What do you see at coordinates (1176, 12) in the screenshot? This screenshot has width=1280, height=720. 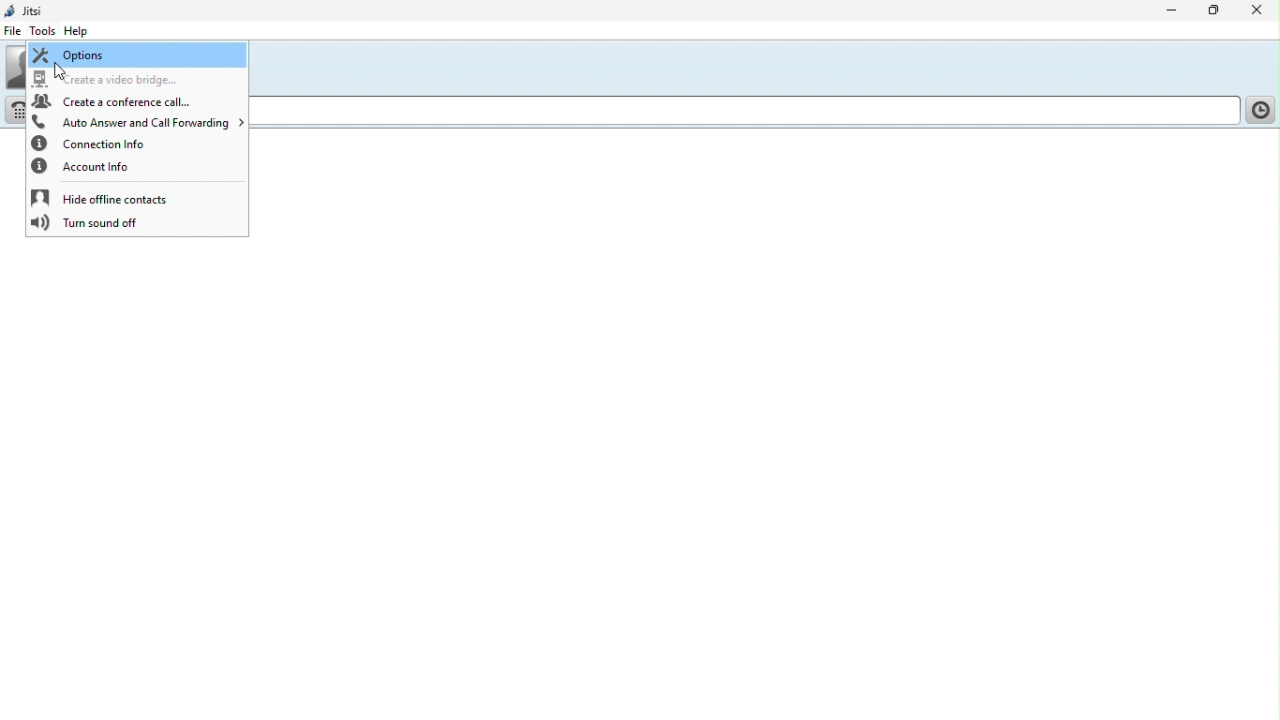 I see `Minimise` at bounding box center [1176, 12].